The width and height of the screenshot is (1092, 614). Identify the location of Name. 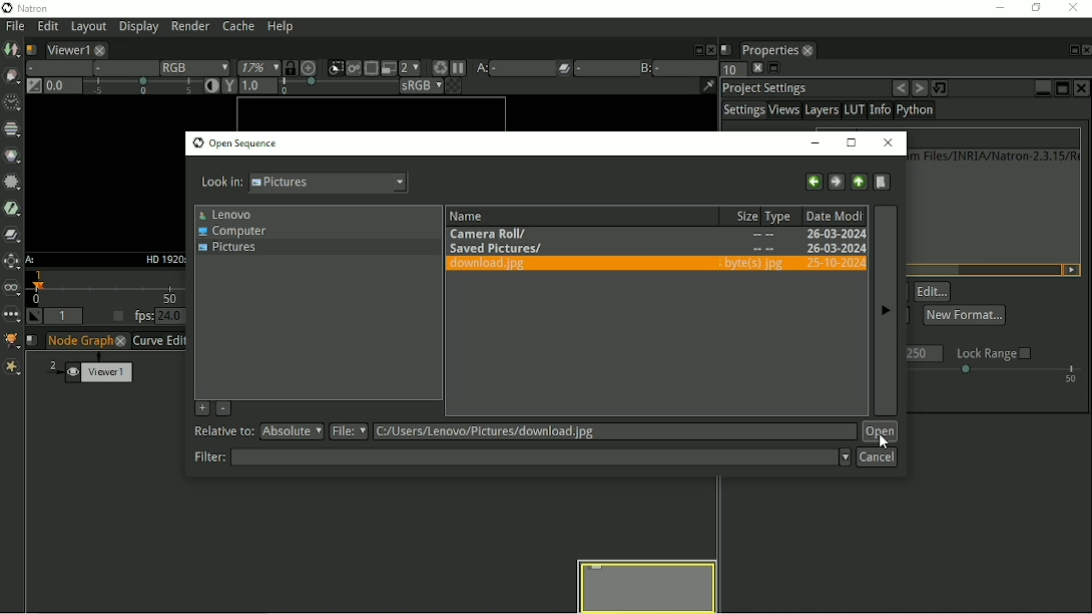
(469, 214).